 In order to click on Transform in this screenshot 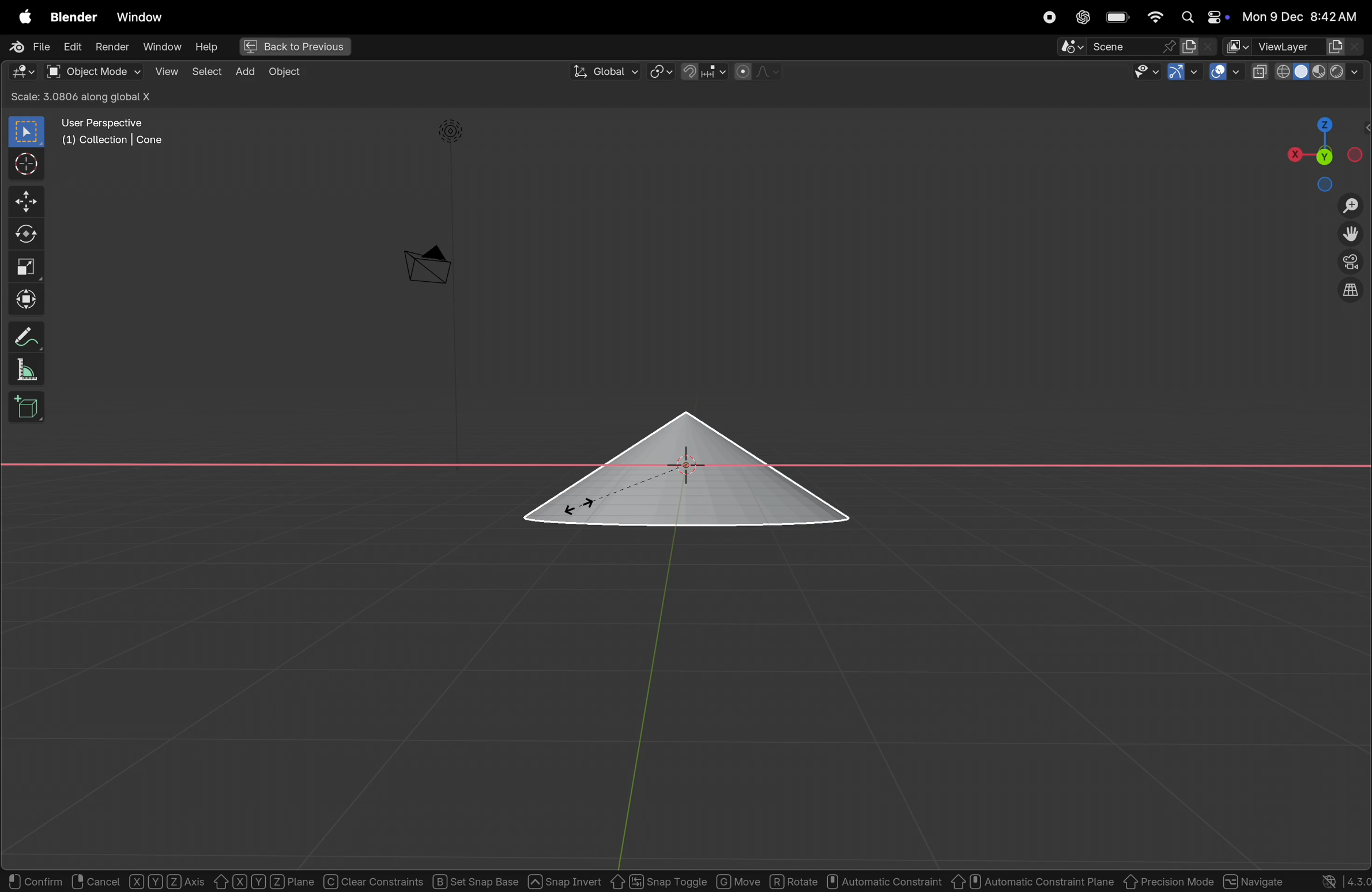, I will do `click(25, 298)`.